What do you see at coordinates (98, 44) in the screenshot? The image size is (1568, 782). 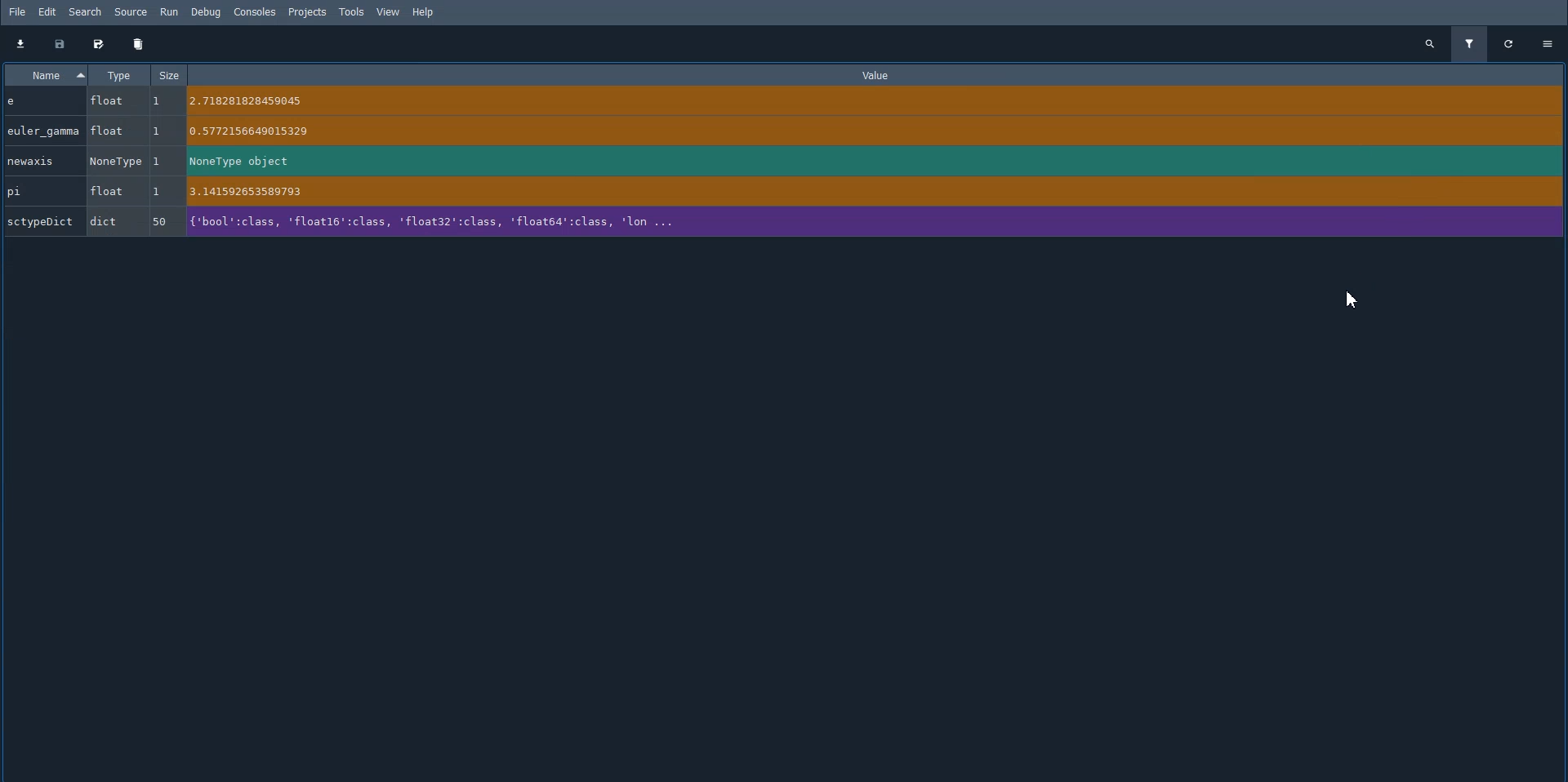 I see `Copy data as` at bounding box center [98, 44].